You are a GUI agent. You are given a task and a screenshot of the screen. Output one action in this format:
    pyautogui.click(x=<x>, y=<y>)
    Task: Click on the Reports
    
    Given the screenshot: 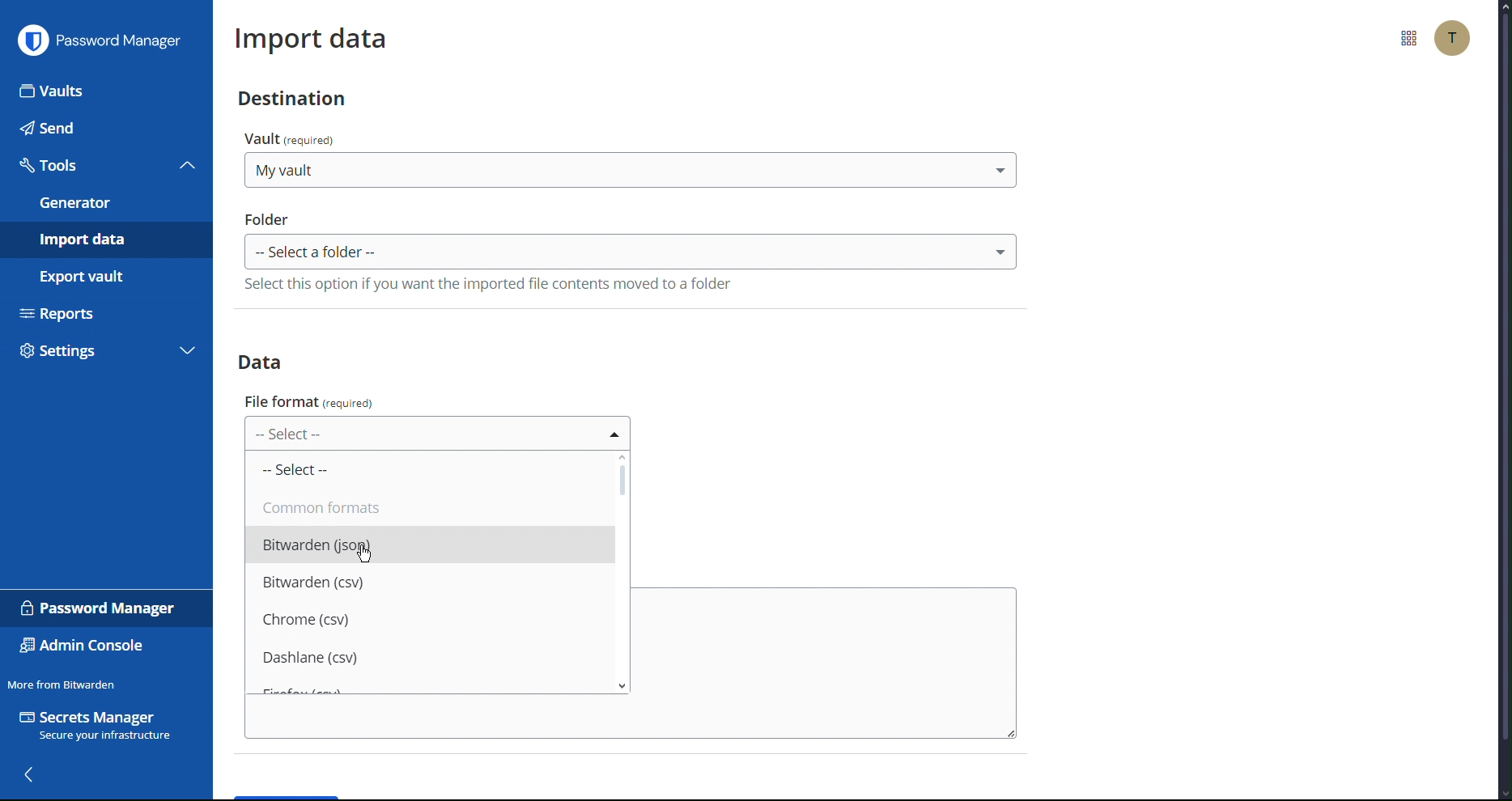 What is the action you would take?
    pyautogui.click(x=104, y=311)
    